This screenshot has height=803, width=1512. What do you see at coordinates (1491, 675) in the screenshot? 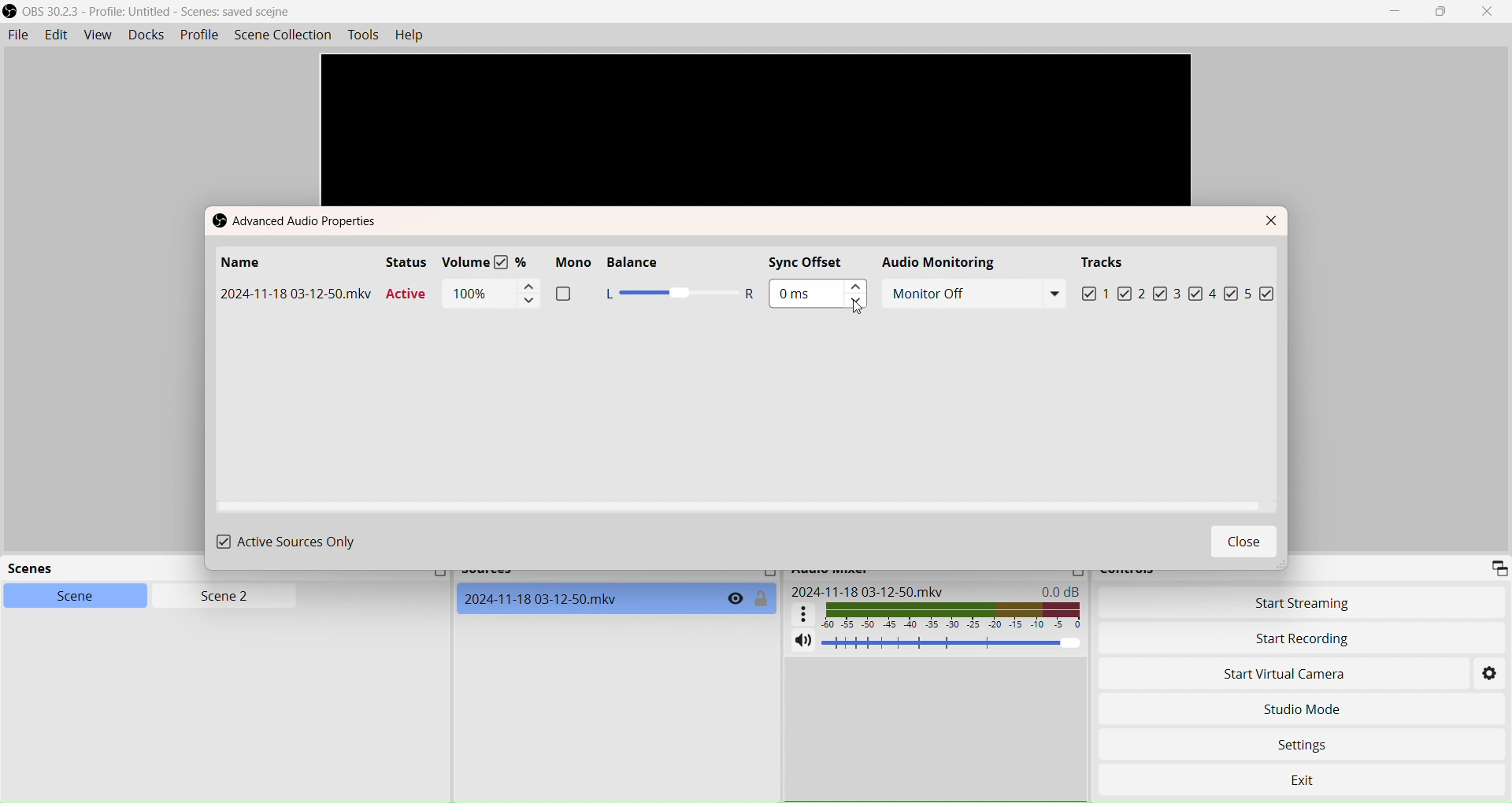
I see `Settings` at bounding box center [1491, 675].